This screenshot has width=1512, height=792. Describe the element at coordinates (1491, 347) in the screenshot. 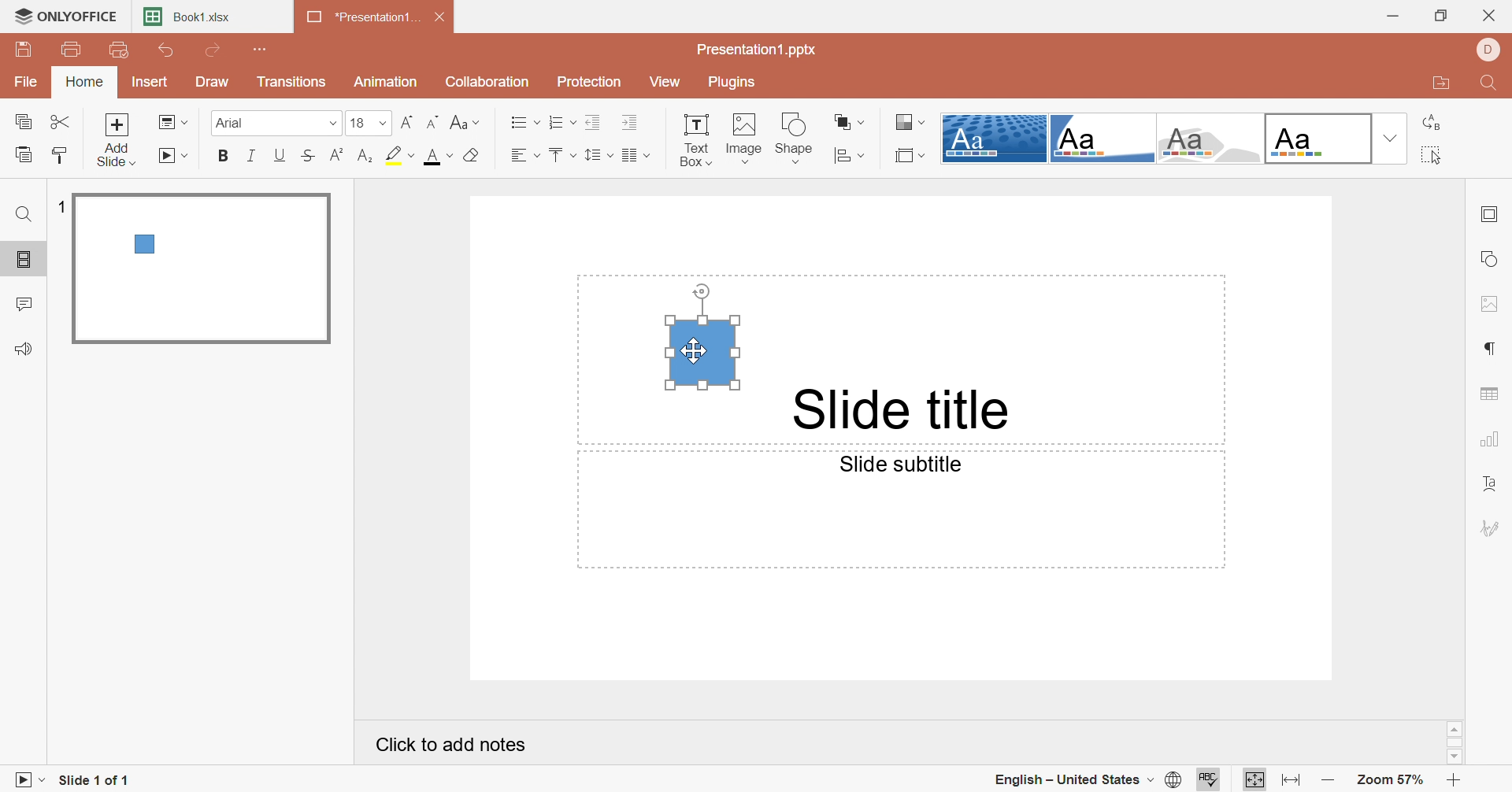

I see `Paragraph settings` at that location.